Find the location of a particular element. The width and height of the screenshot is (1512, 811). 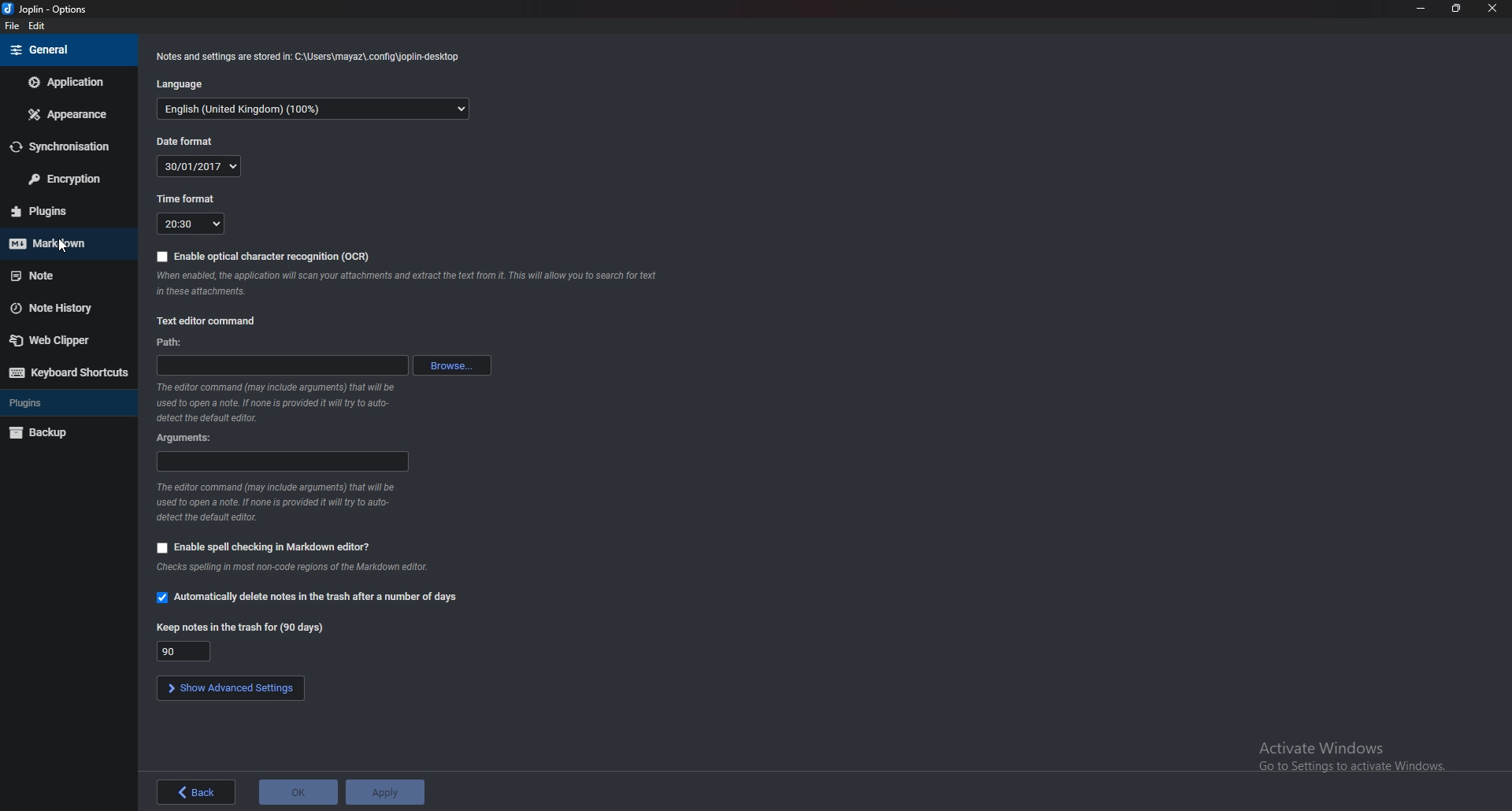

Enable spell checking is located at coordinates (266, 548).